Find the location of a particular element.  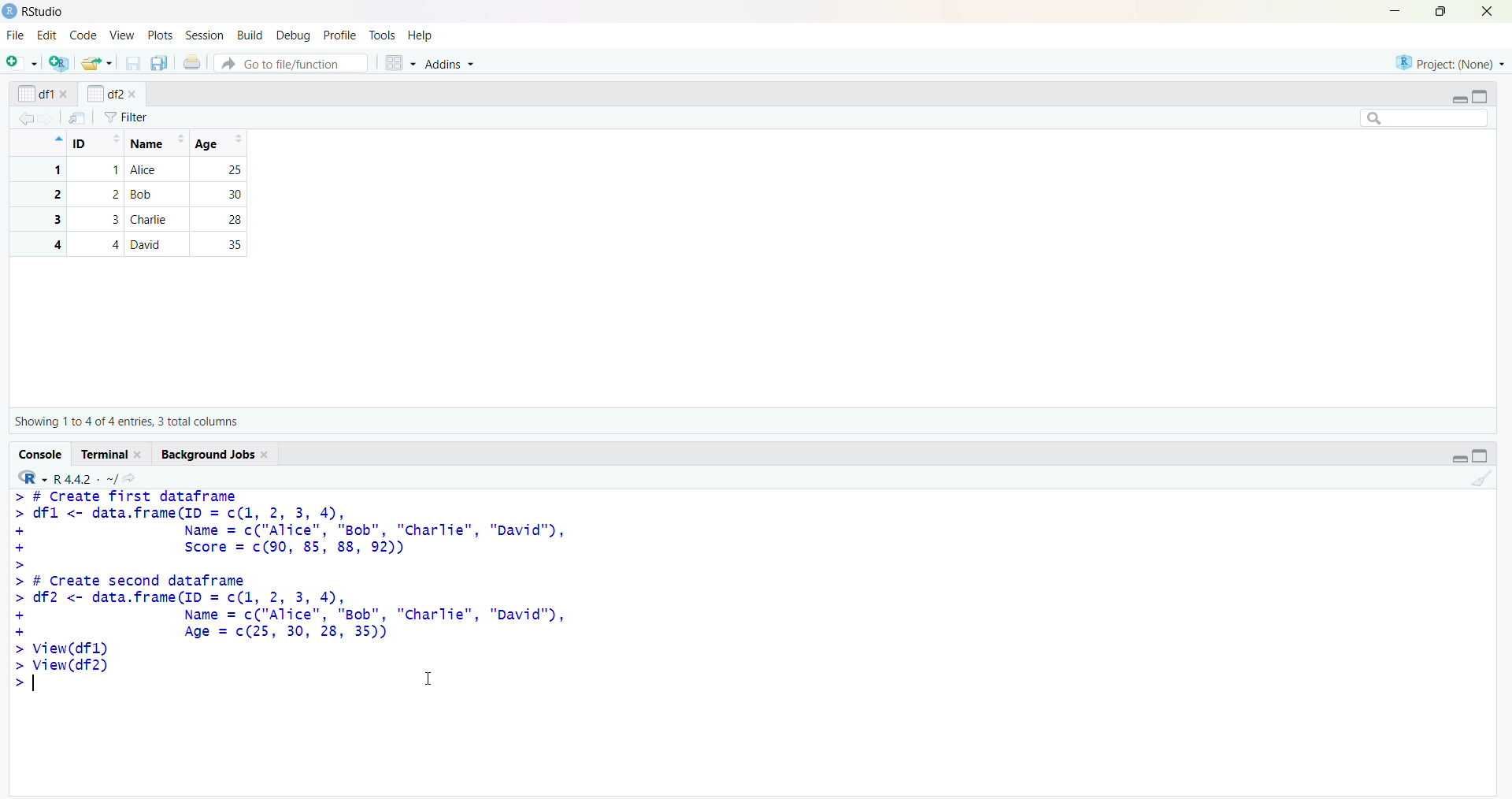

file is located at coordinates (17, 35).